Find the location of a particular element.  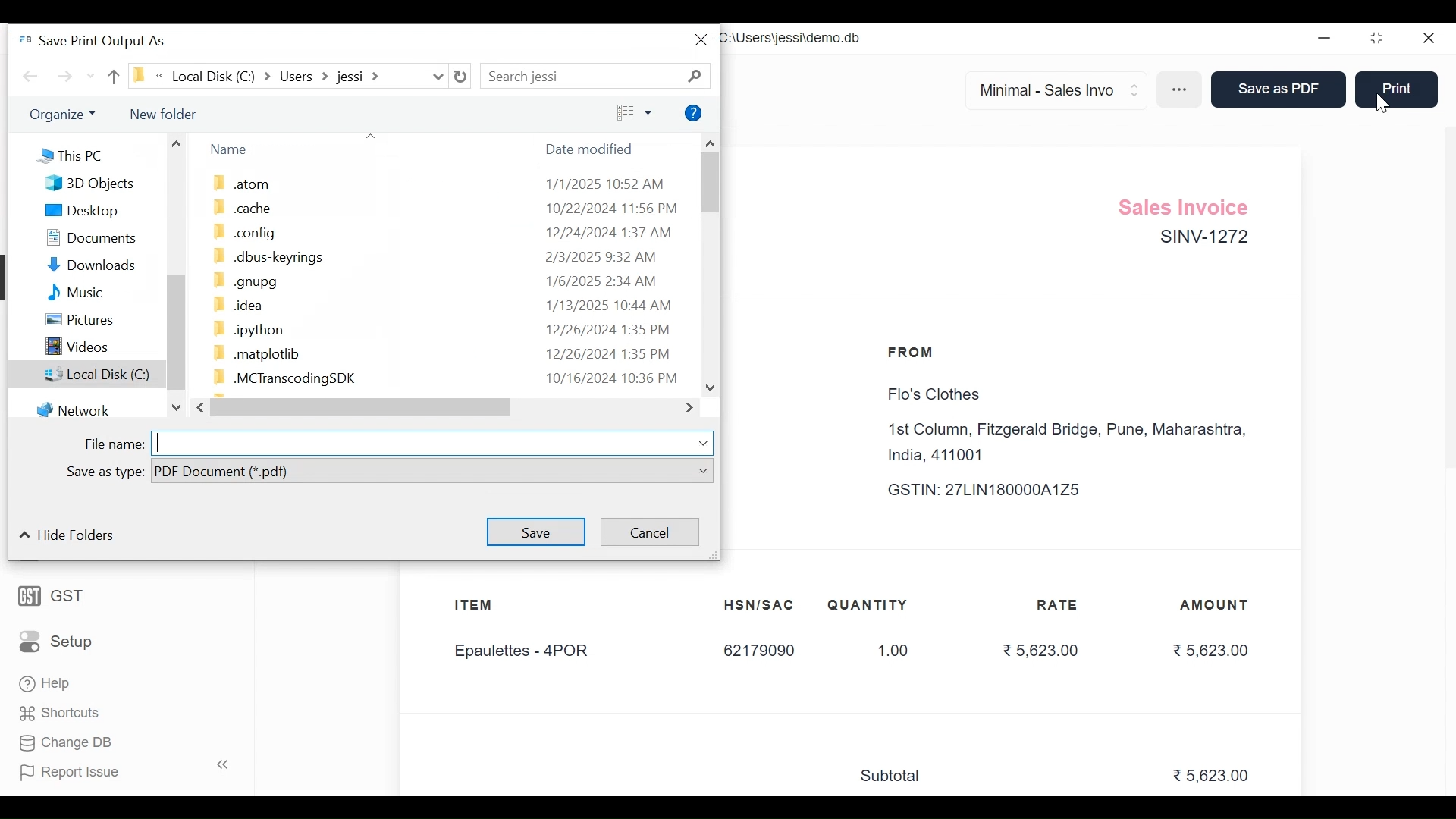

5,623.00 is located at coordinates (1039, 649).